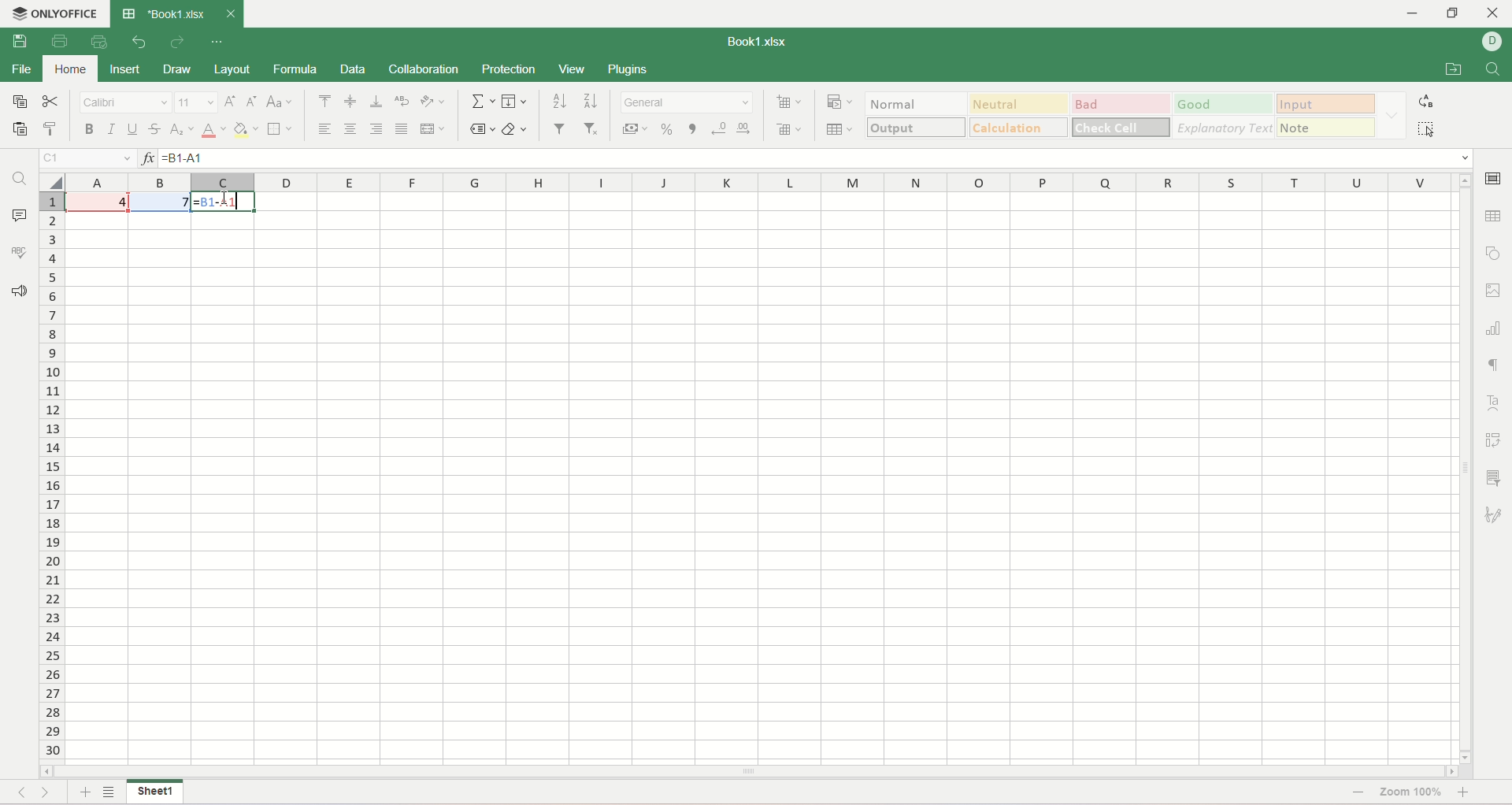 The width and height of the screenshot is (1512, 805). I want to click on align middle, so click(352, 101).